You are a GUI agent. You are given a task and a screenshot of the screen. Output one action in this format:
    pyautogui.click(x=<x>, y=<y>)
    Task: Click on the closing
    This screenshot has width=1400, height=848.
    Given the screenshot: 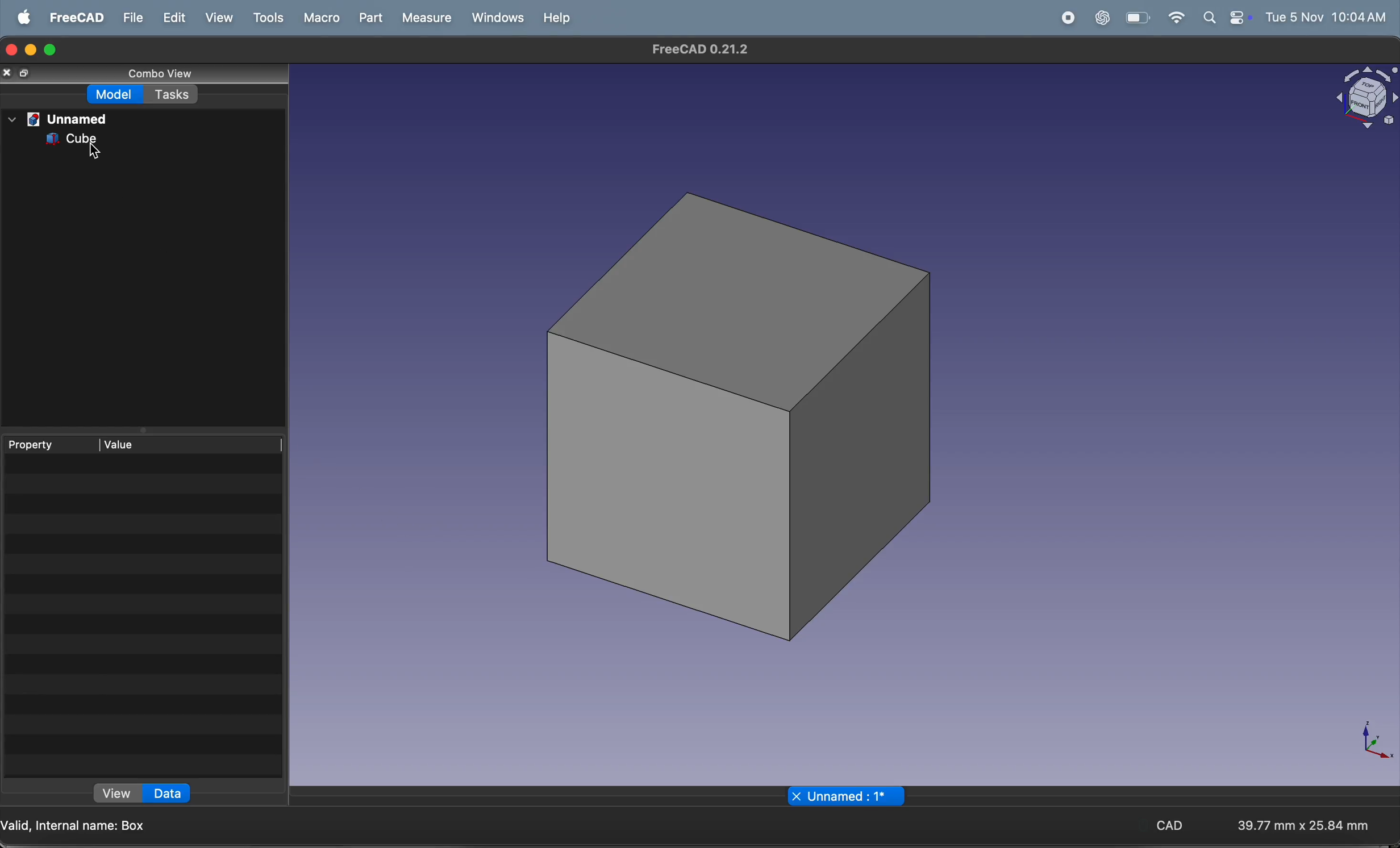 What is the action you would take?
    pyautogui.click(x=14, y=49)
    